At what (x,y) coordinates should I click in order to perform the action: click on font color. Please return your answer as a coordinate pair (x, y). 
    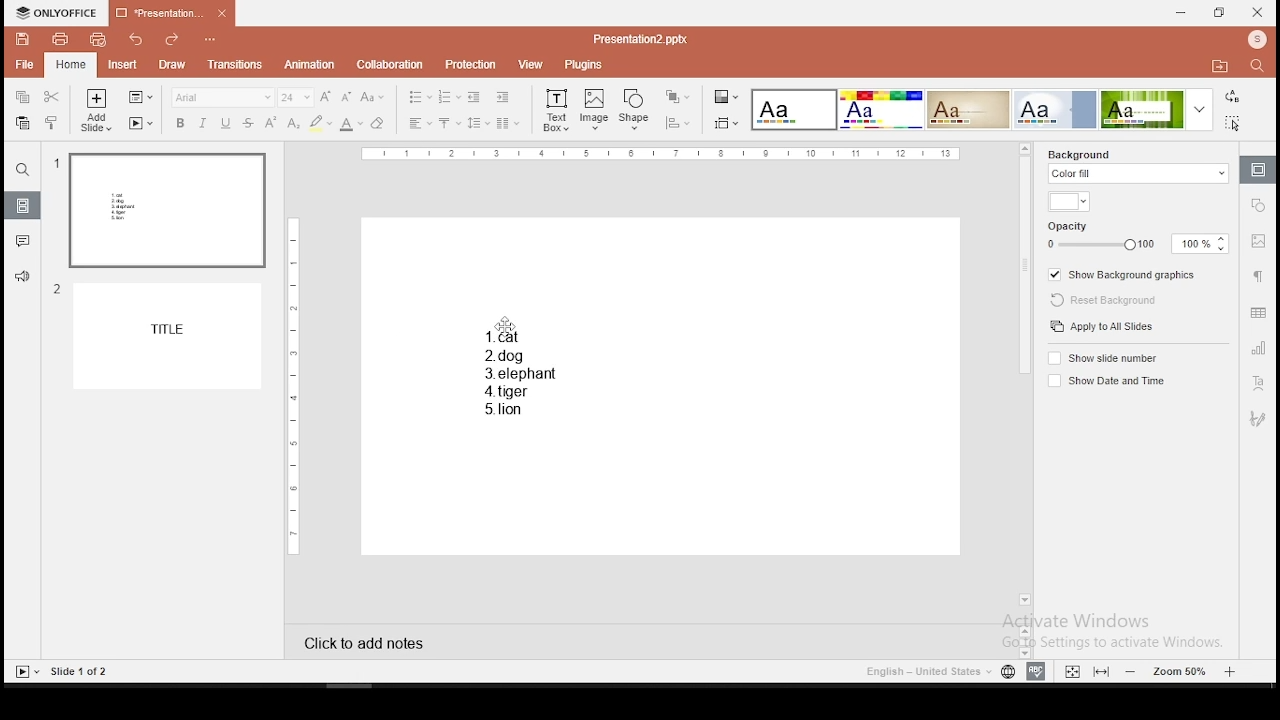
    Looking at the image, I should click on (351, 123).